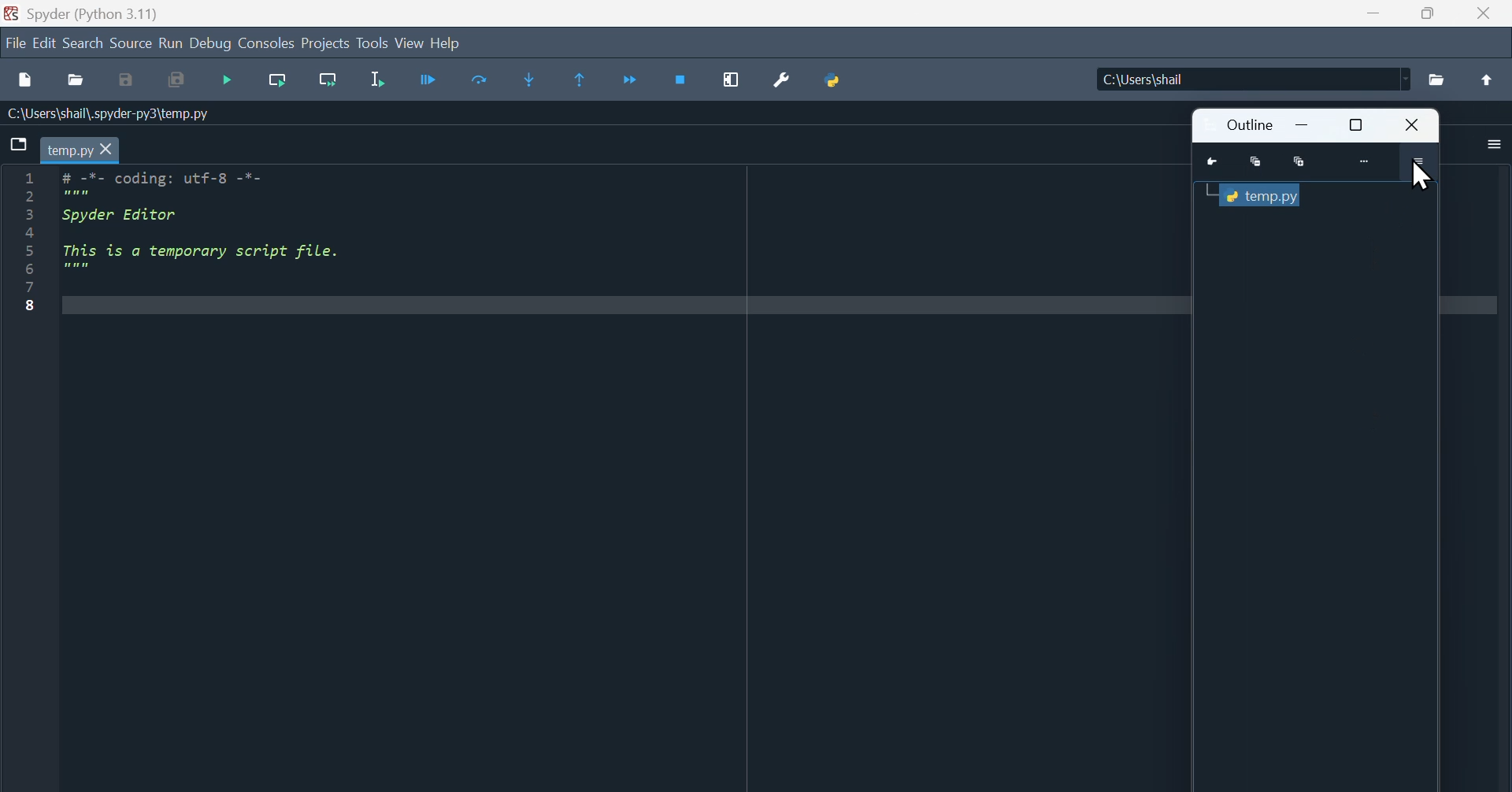 This screenshot has height=792, width=1512. Describe the element at coordinates (278, 80) in the screenshot. I see `Run current cell` at that location.